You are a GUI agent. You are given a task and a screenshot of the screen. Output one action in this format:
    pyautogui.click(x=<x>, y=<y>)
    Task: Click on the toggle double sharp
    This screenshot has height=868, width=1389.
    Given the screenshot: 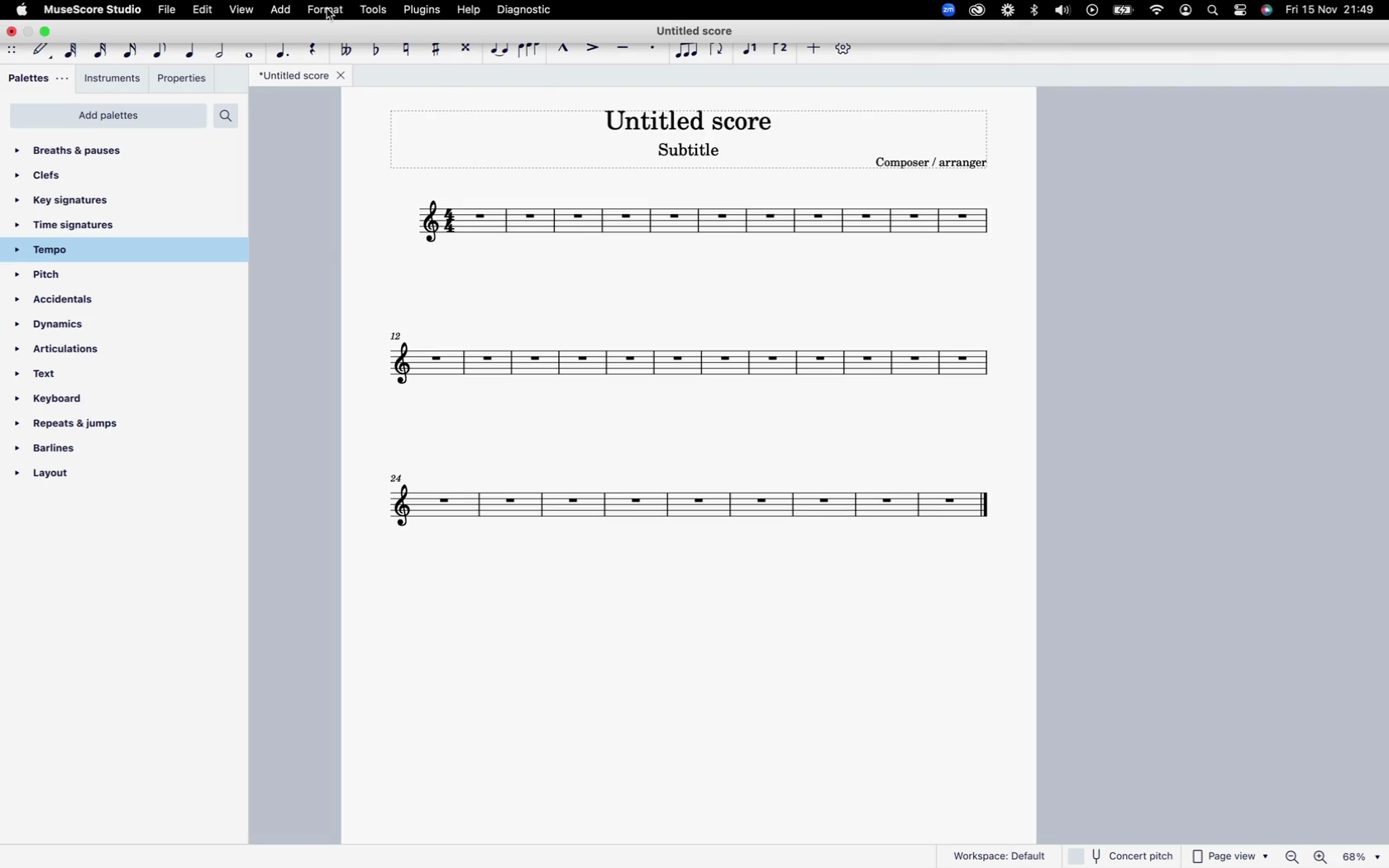 What is the action you would take?
    pyautogui.click(x=468, y=50)
    